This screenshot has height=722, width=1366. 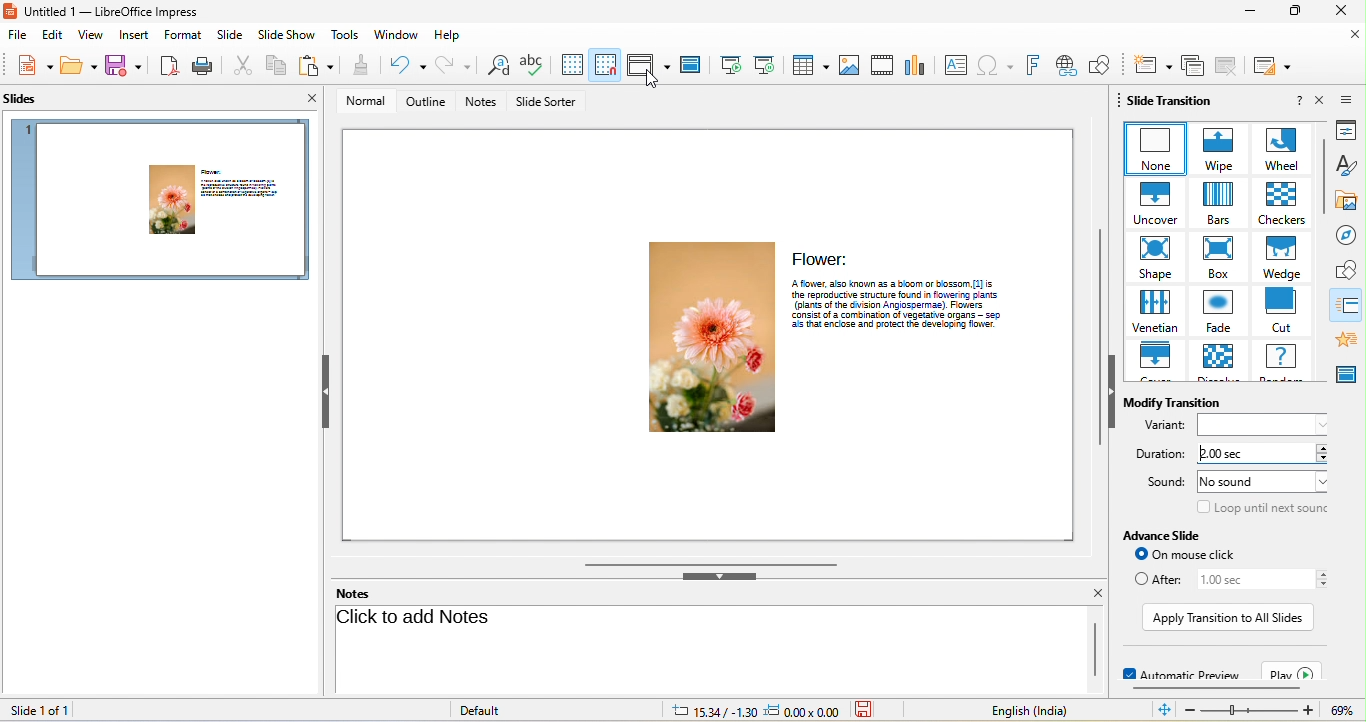 I want to click on box, so click(x=1218, y=259).